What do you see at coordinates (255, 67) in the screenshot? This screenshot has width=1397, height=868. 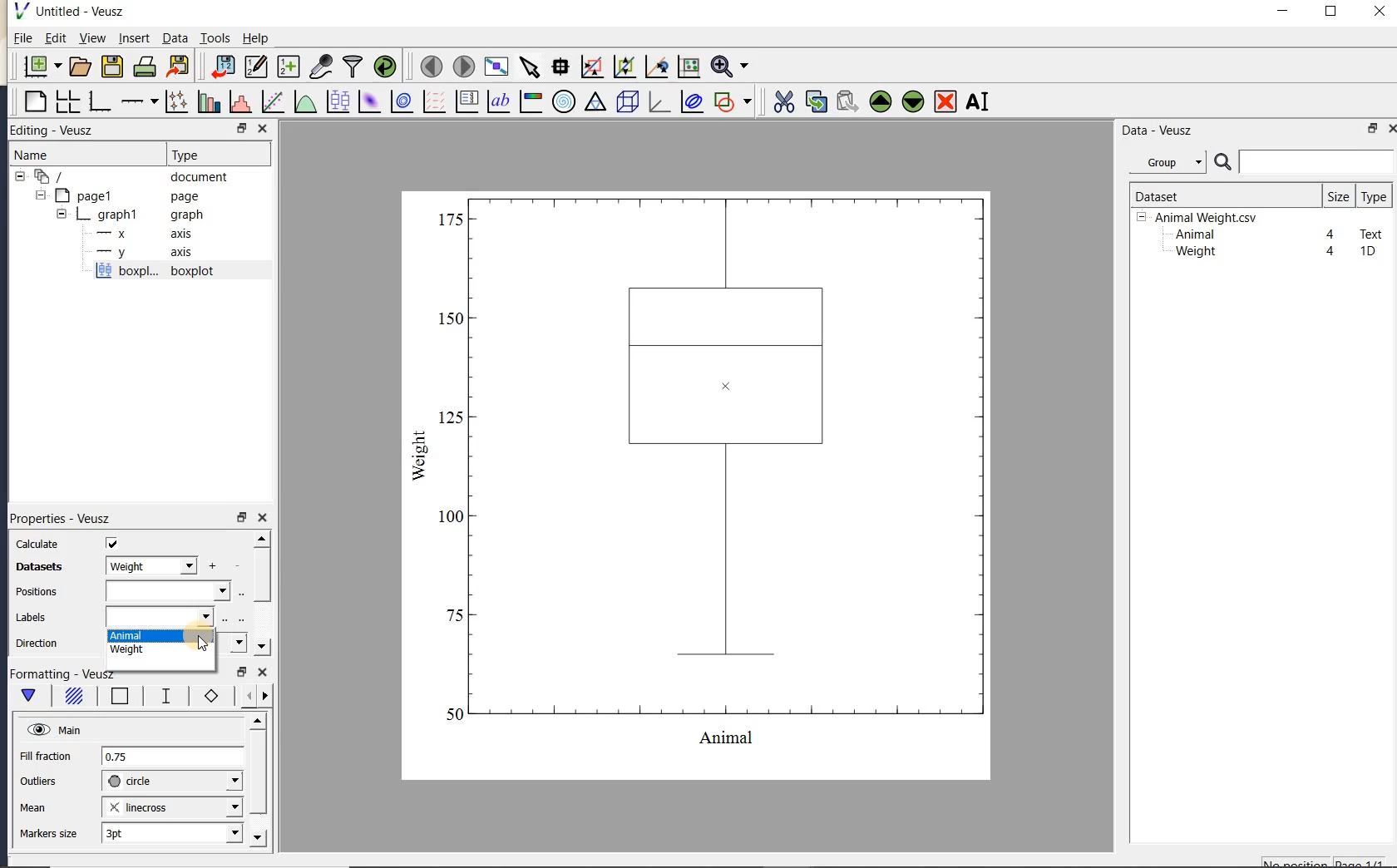 I see `edit and enter new datasets` at bounding box center [255, 67].